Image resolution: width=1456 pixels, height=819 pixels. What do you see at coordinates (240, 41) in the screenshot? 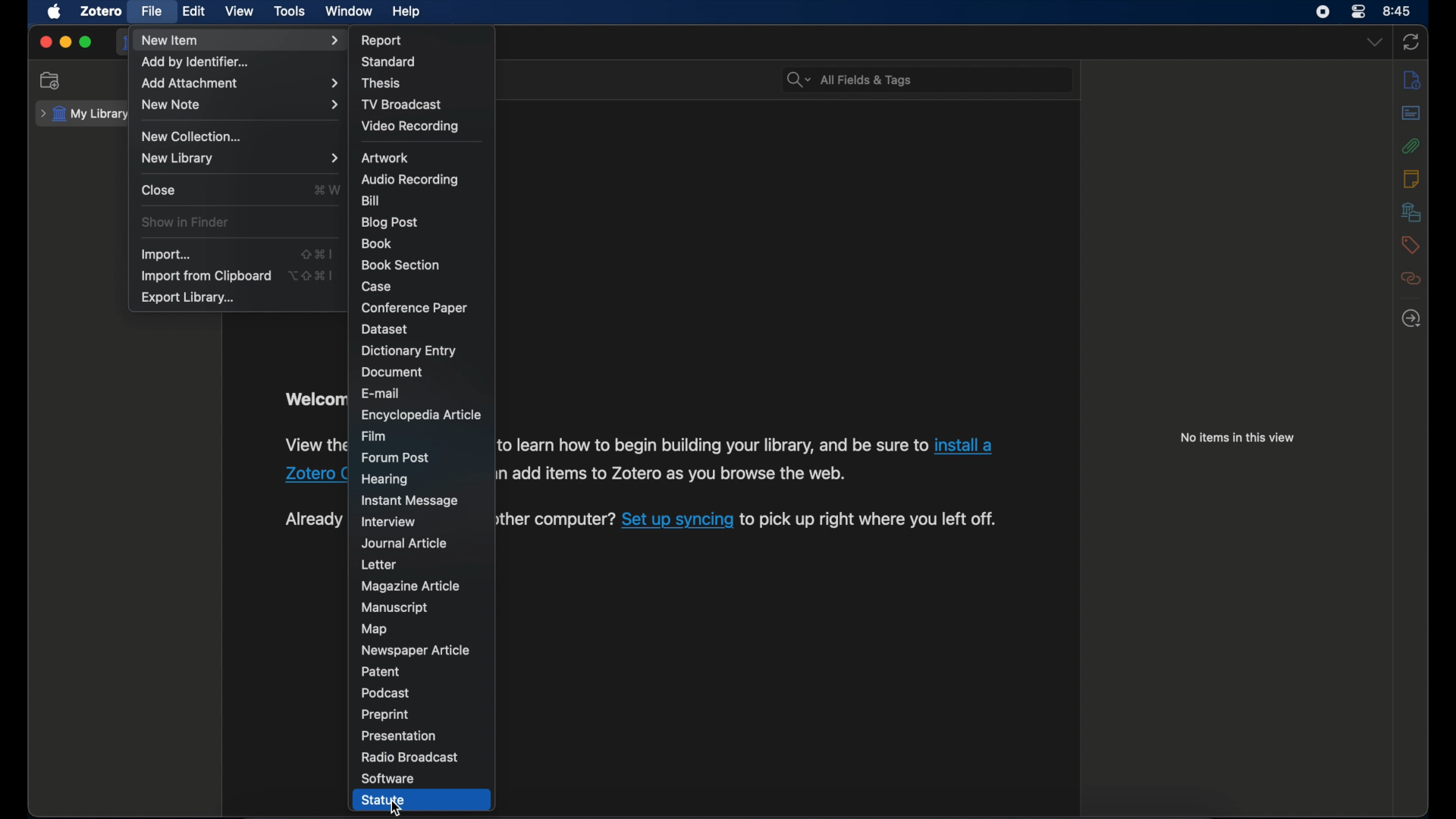
I see `new item` at bounding box center [240, 41].